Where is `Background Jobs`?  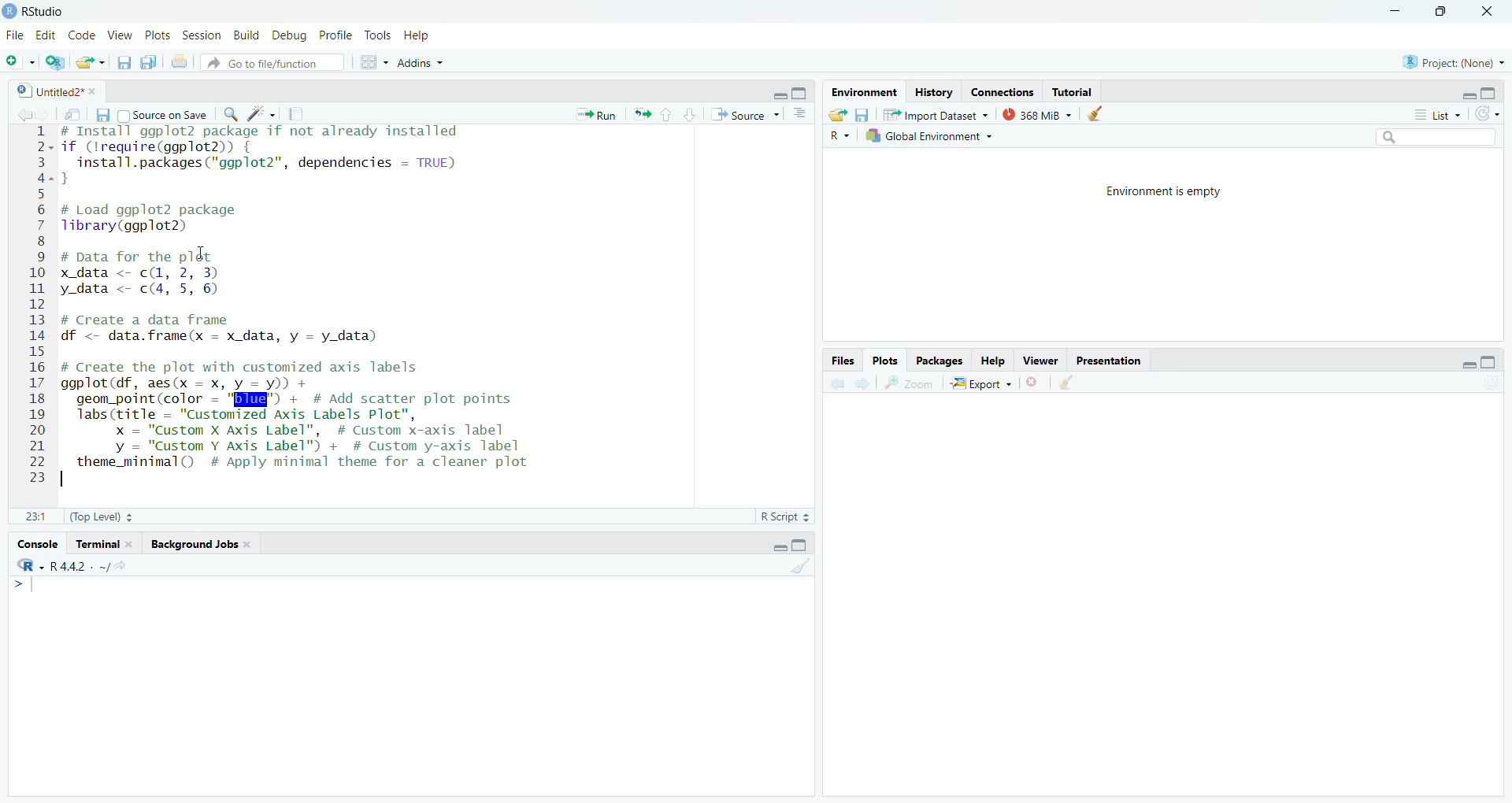 Background Jobs is located at coordinates (201, 545).